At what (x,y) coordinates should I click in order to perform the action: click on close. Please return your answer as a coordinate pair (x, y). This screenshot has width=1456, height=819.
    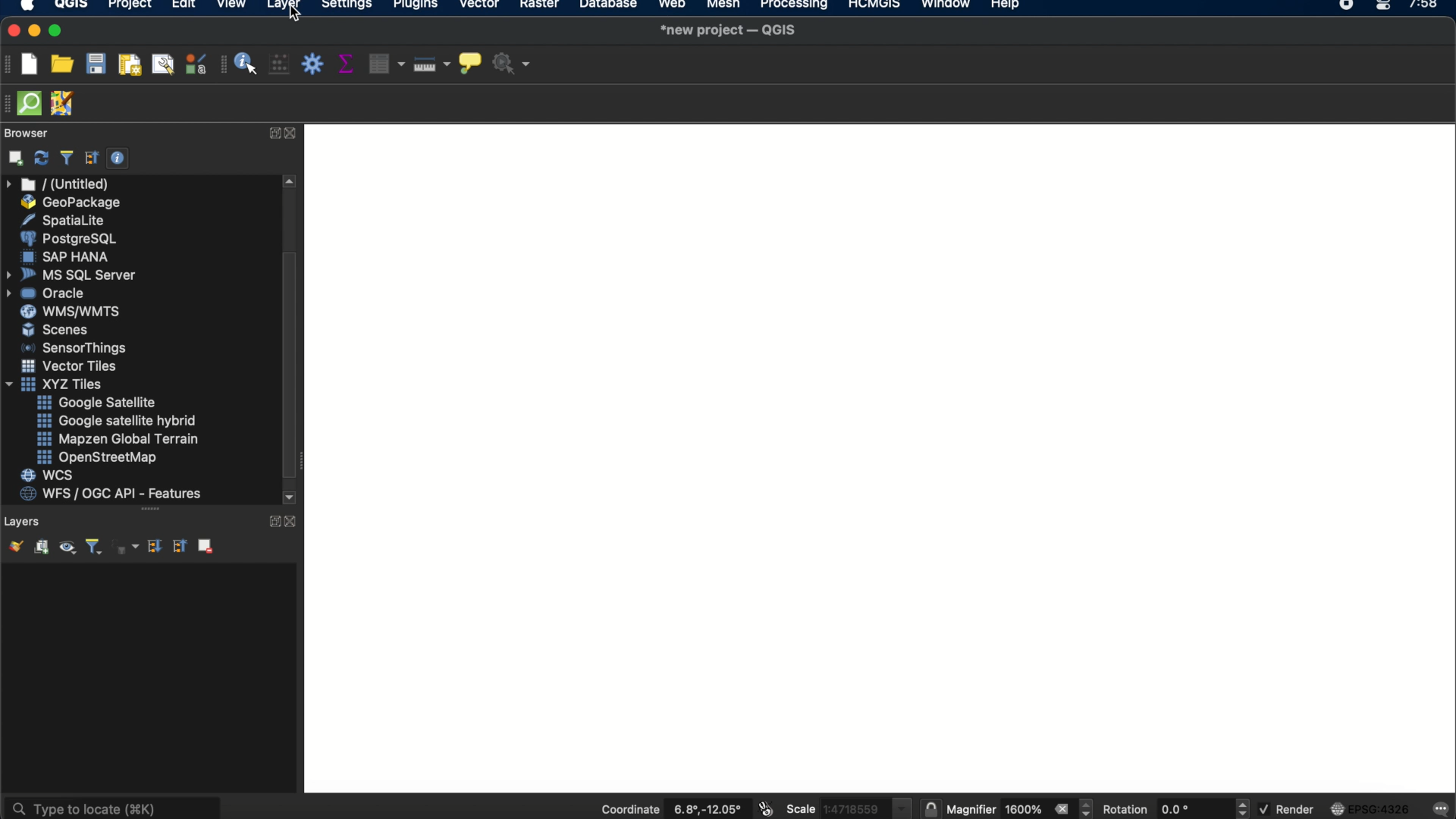
    Looking at the image, I should click on (293, 522).